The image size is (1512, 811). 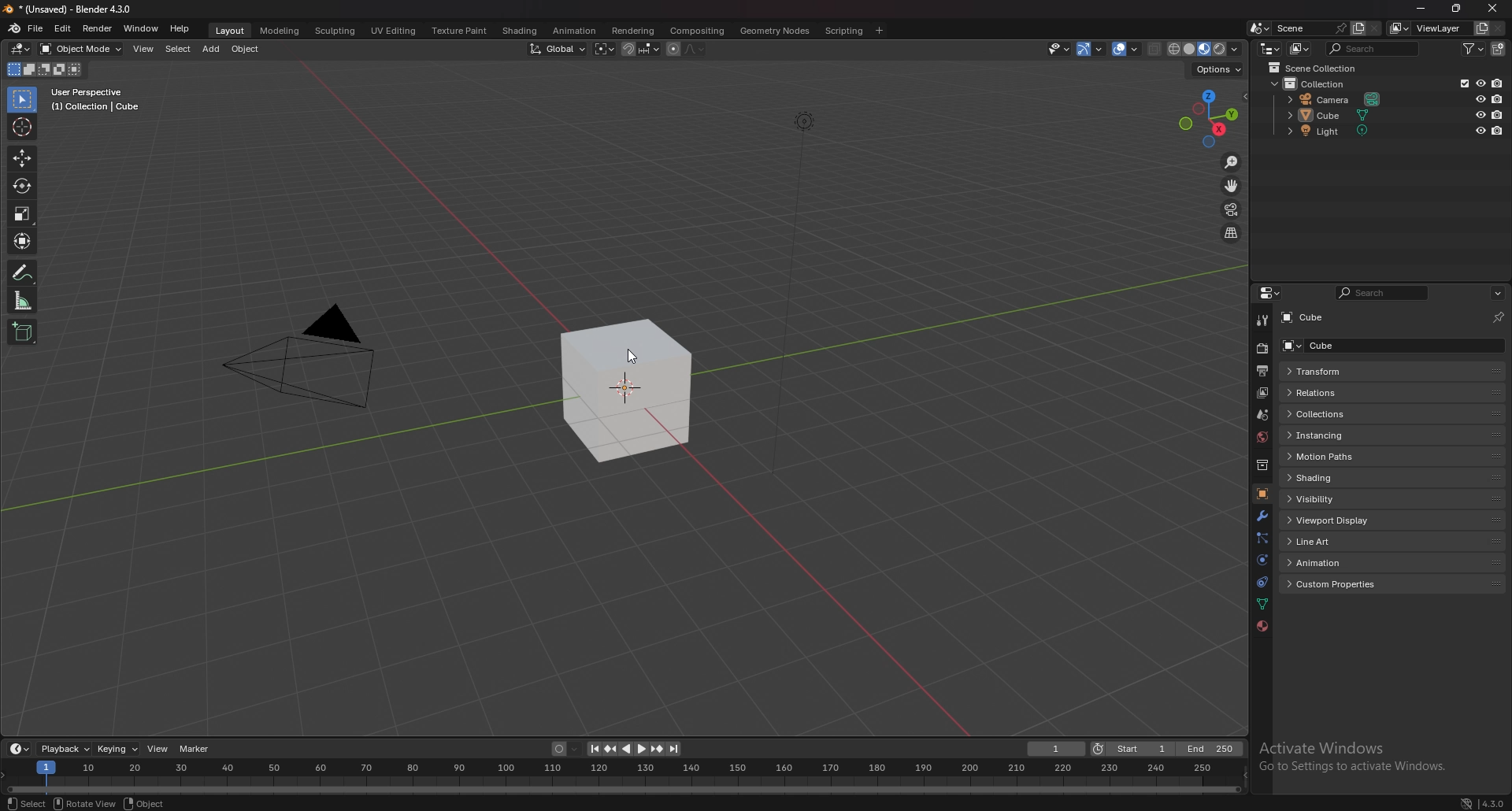 What do you see at coordinates (1058, 749) in the screenshot?
I see `current frame` at bounding box center [1058, 749].